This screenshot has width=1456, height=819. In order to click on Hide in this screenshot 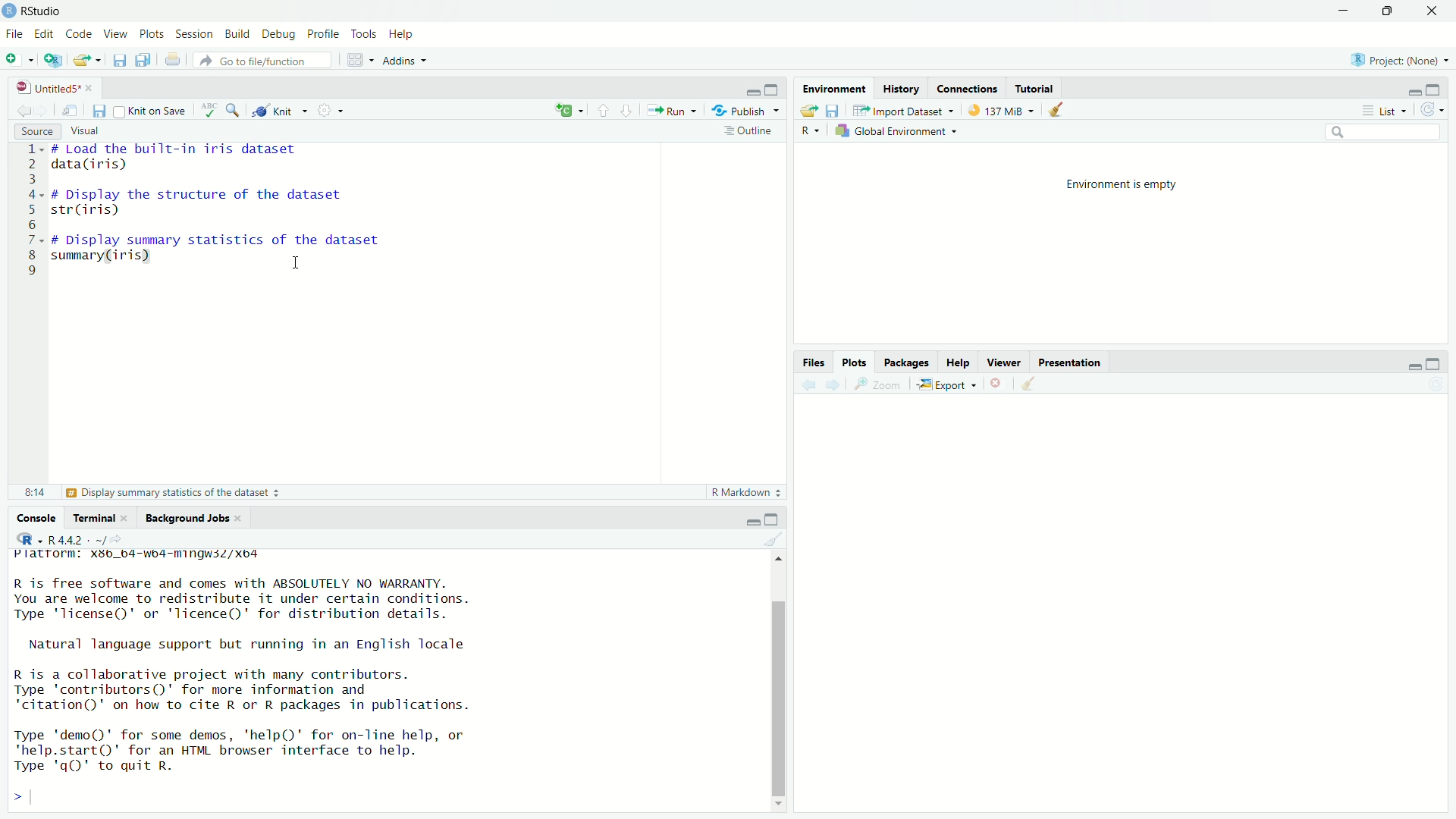, I will do `click(1411, 90)`.